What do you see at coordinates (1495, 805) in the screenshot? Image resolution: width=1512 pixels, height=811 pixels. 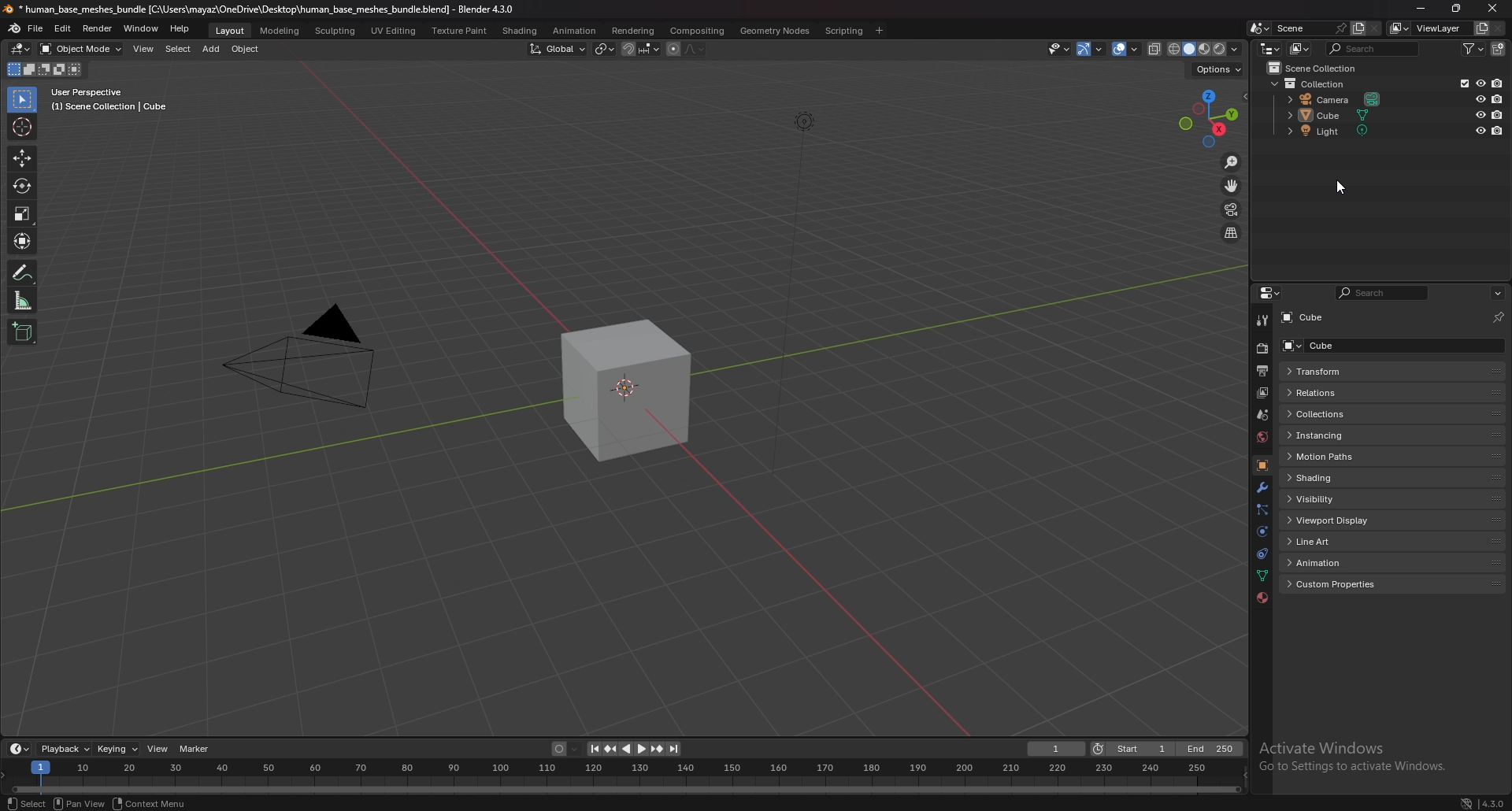 I see `version` at bounding box center [1495, 805].